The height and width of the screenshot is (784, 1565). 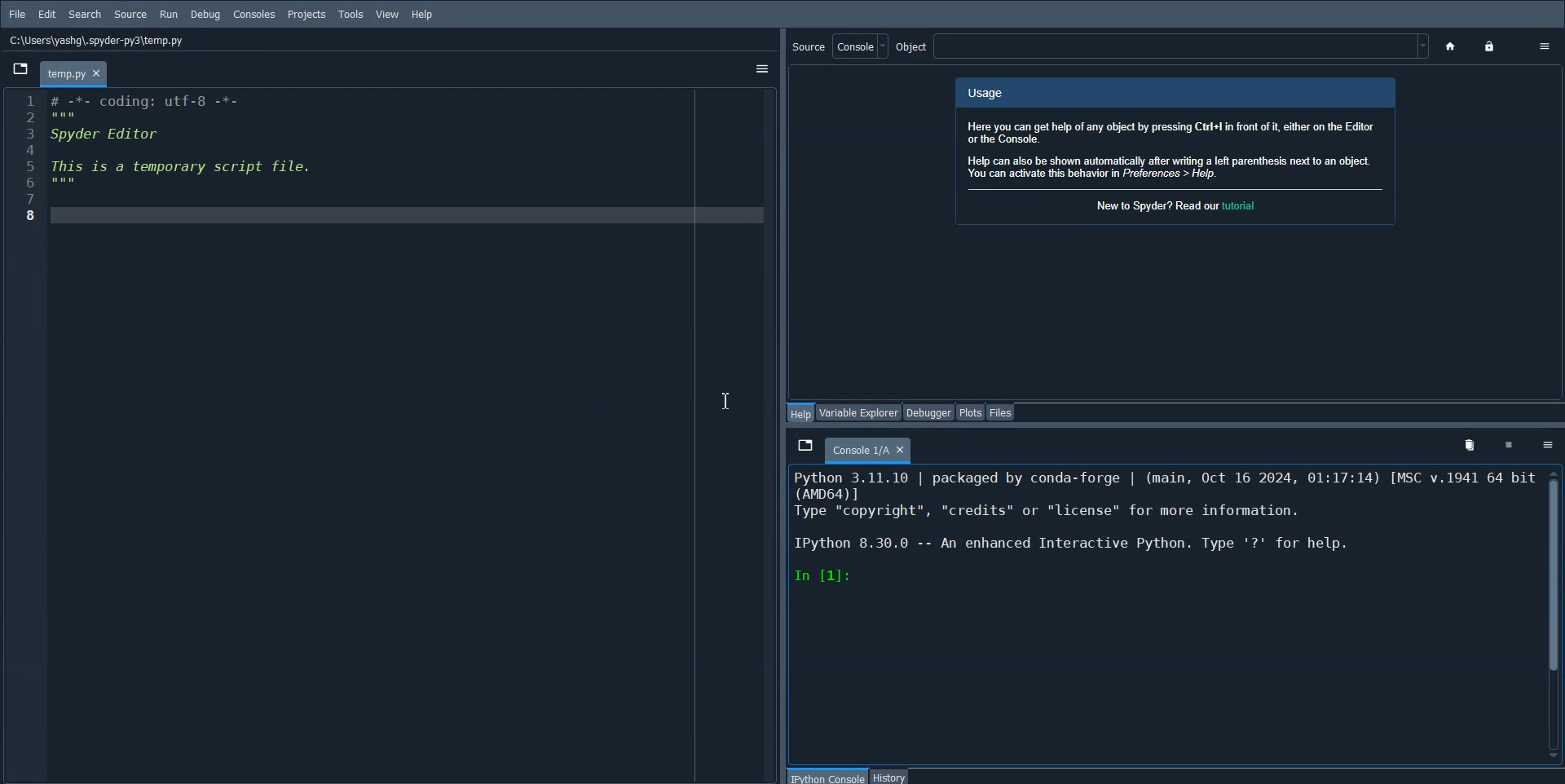 What do you see at coordinates (169, 15) in the screenshot?
I see `Run` at bounding box center [169, 15].